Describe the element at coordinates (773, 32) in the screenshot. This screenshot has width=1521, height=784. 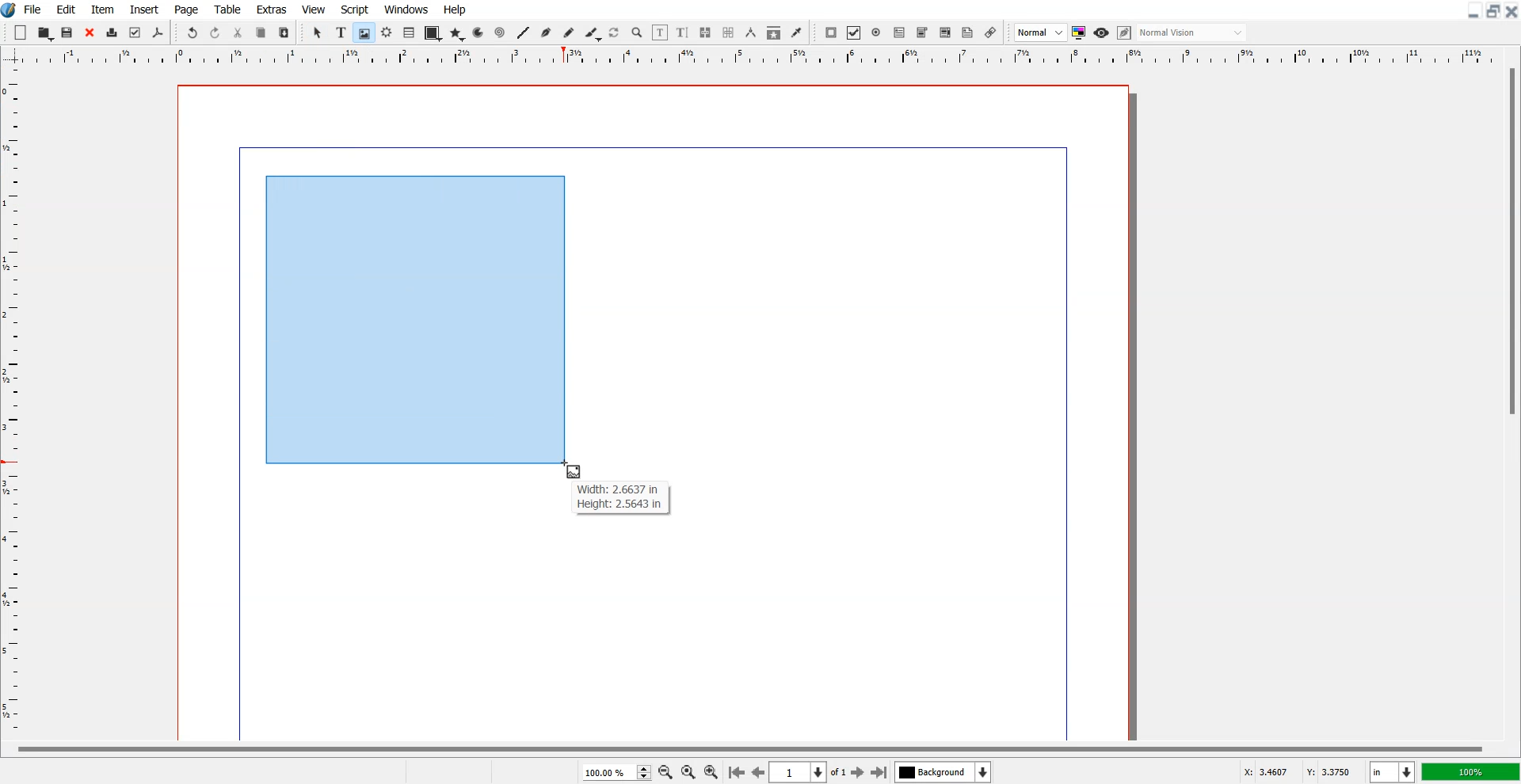
I see `Copy Item Properties` at that location.